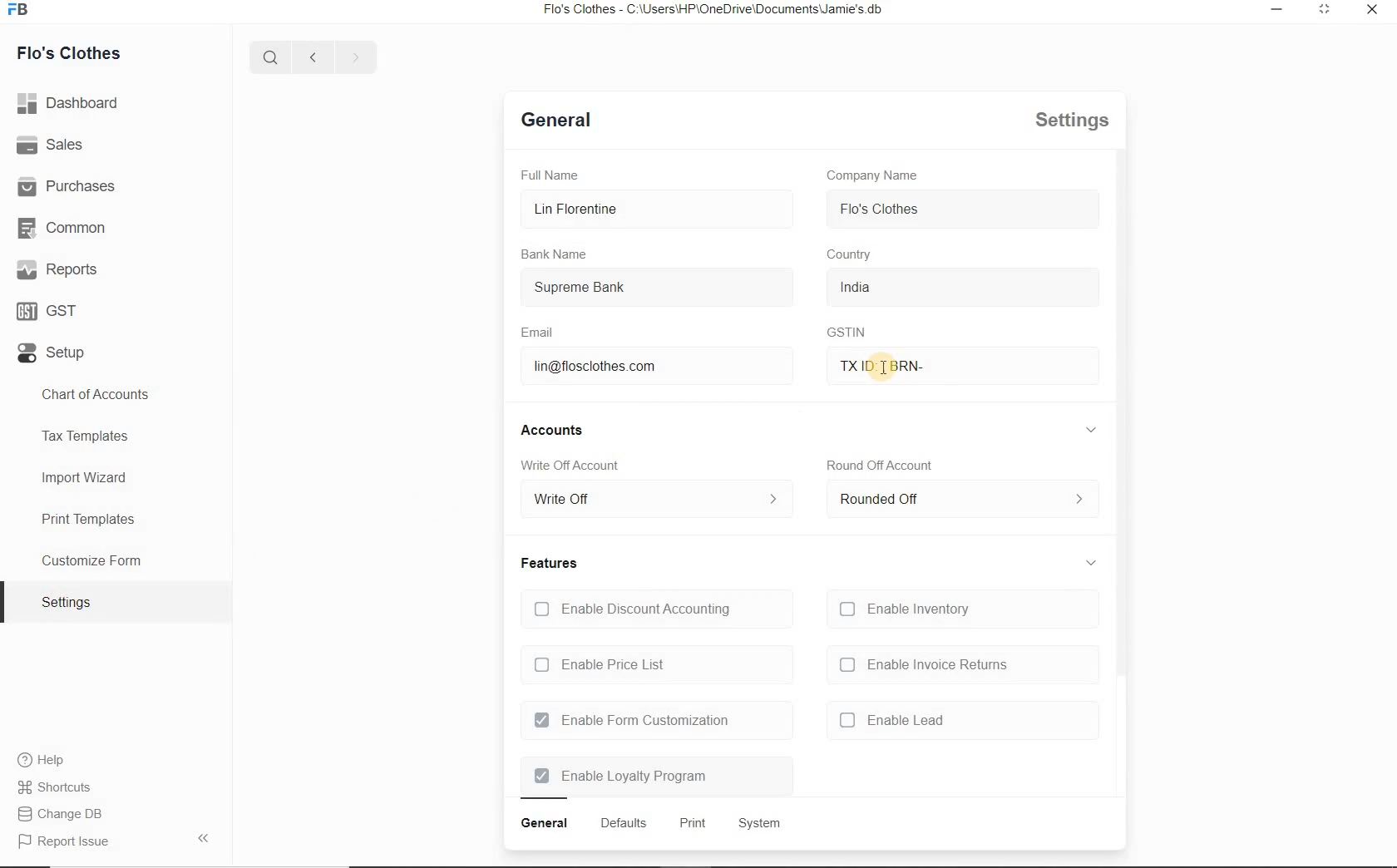 The height and width of the screenshot is (868, 1397). I want to click on Enable Discount Accounting, so click(631, 609).